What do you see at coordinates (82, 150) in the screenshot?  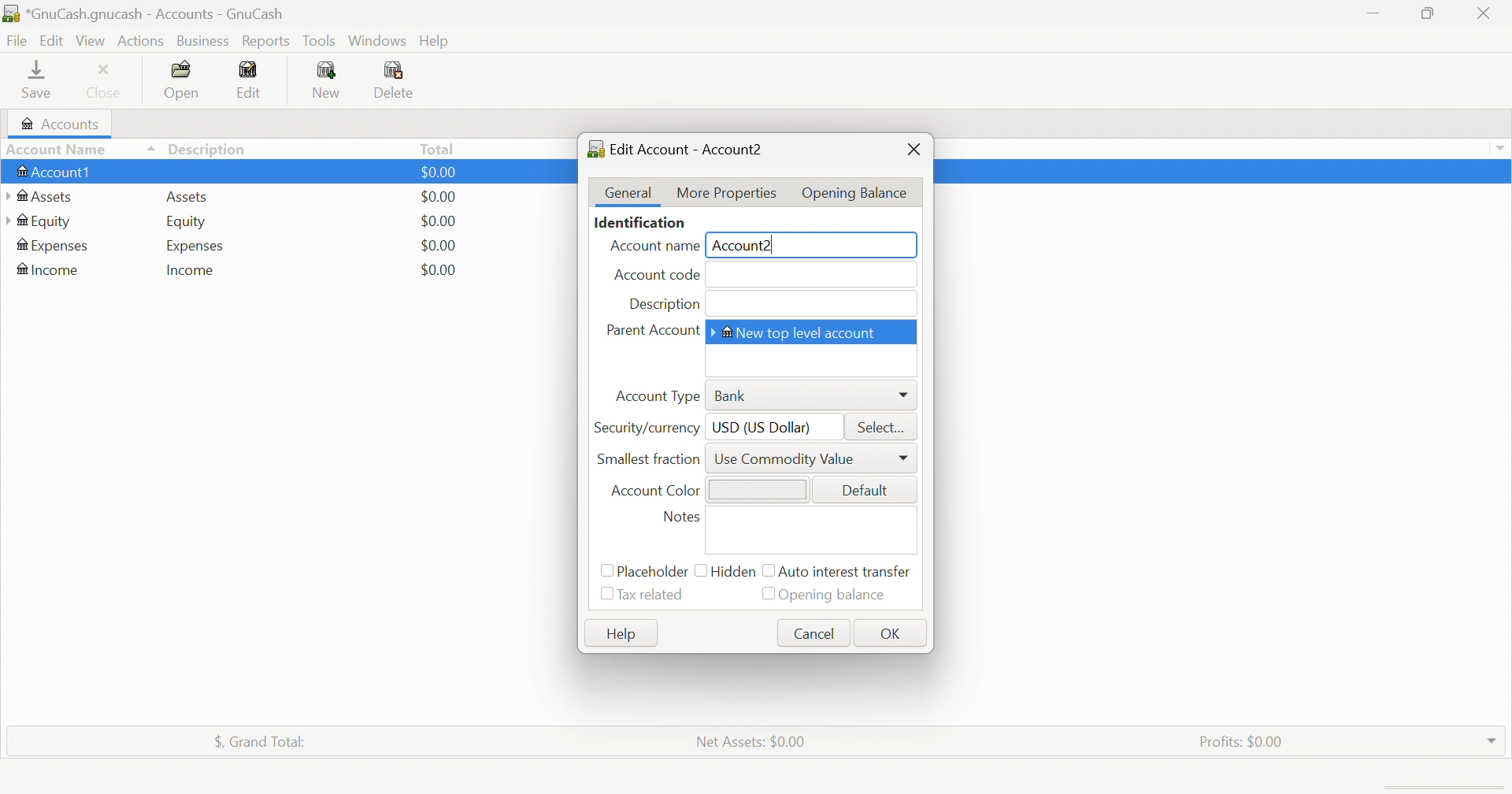 I see `Account Name` at bounding box center [82, 150].